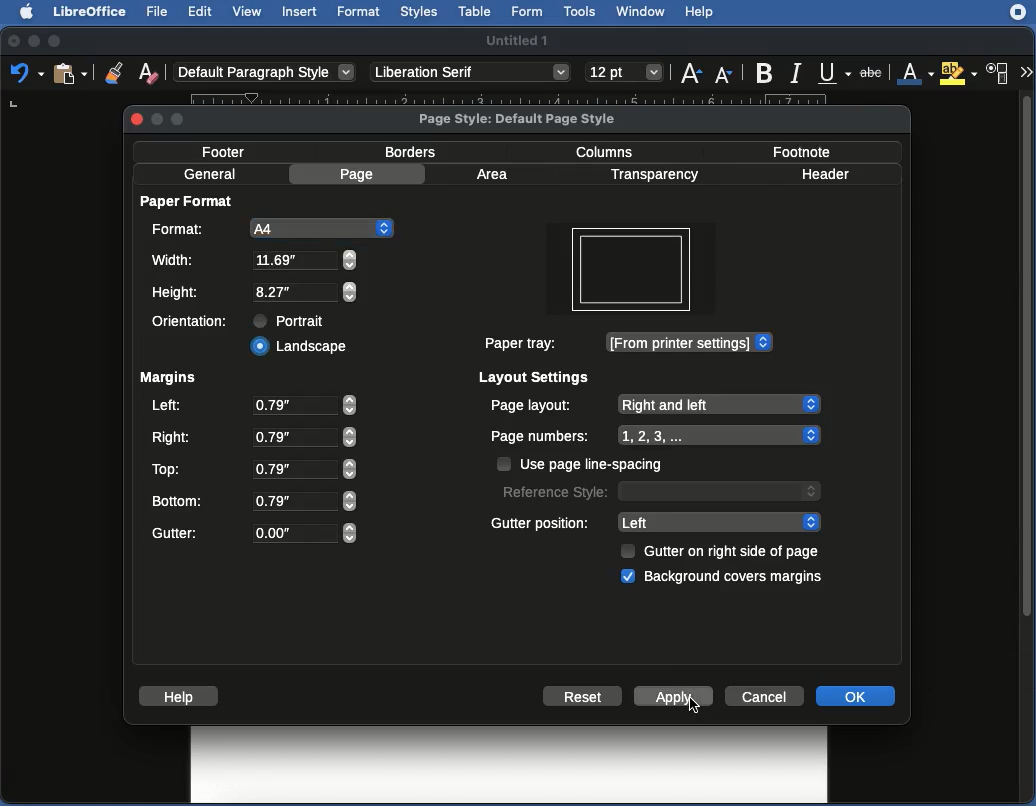 This screenshot has height=806, width=1036. Describe the element at coordinates (610, 152) in the screenshot. I see `Columns` at that location.